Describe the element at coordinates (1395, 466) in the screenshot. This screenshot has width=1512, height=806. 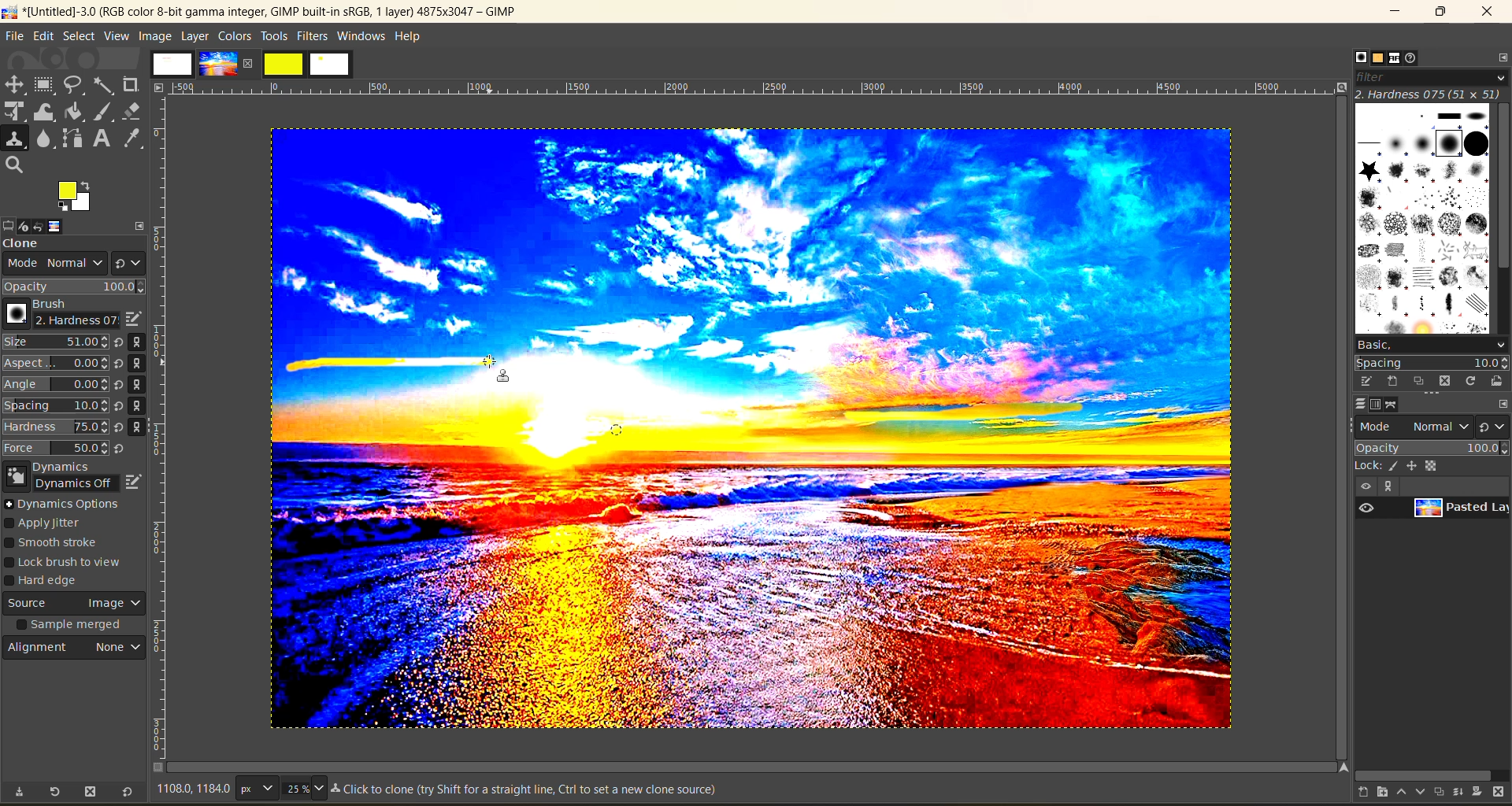
I see `painting tool` at that location.